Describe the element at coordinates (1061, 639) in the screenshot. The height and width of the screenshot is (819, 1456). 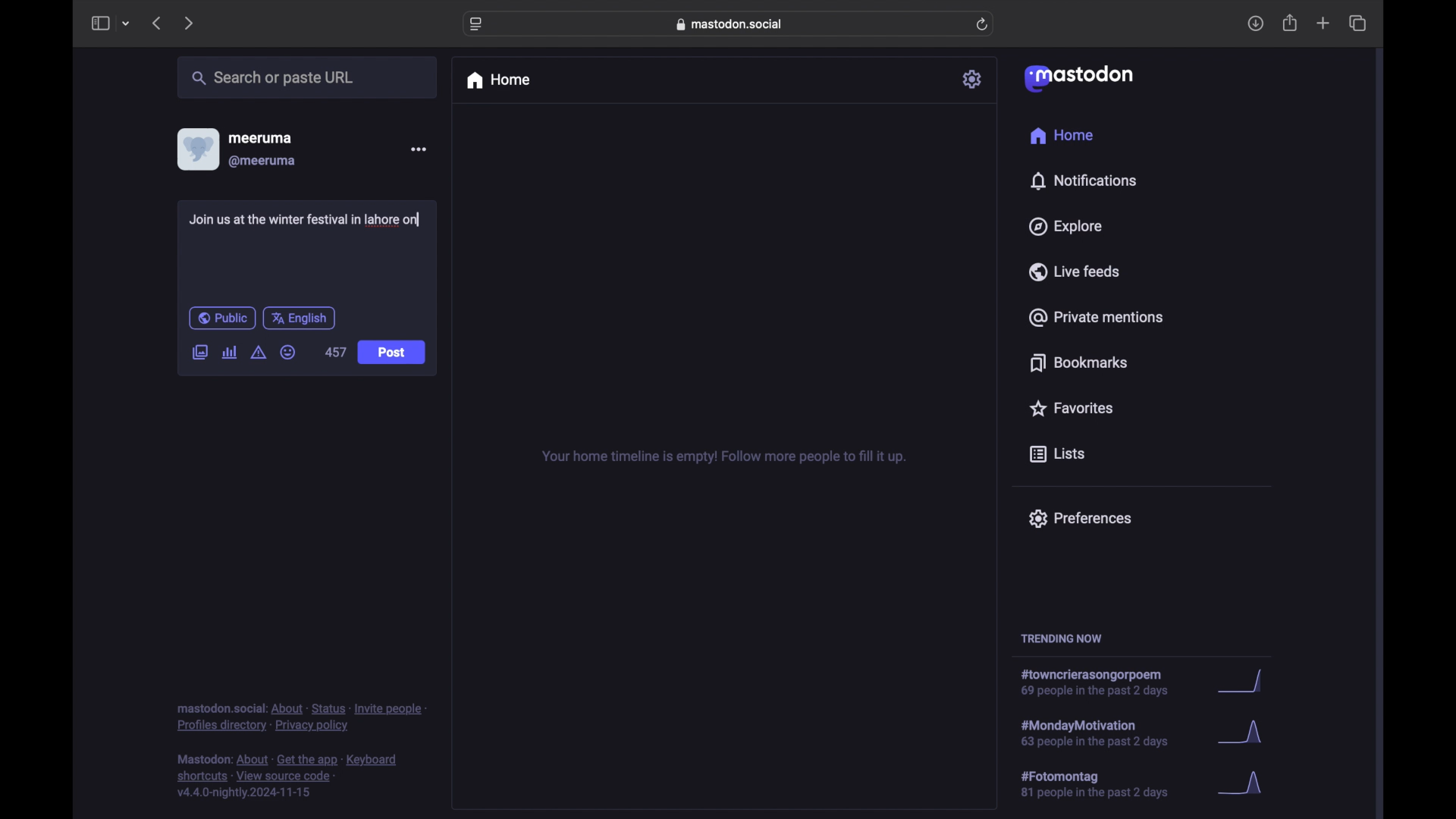
I see `trending now` at that location.